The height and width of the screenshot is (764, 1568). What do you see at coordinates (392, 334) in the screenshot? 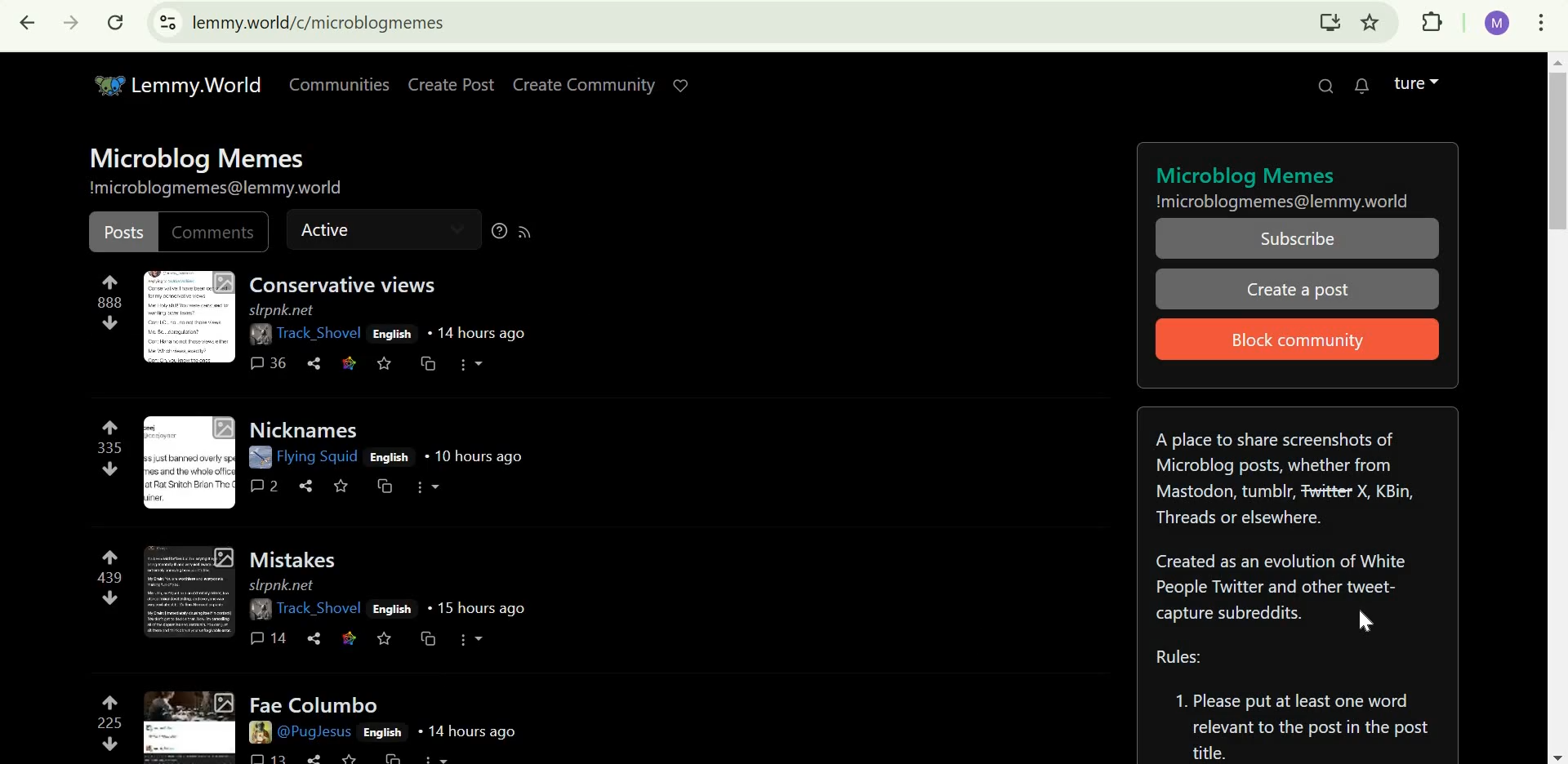
I see `English` at bounding box center [392, 334].